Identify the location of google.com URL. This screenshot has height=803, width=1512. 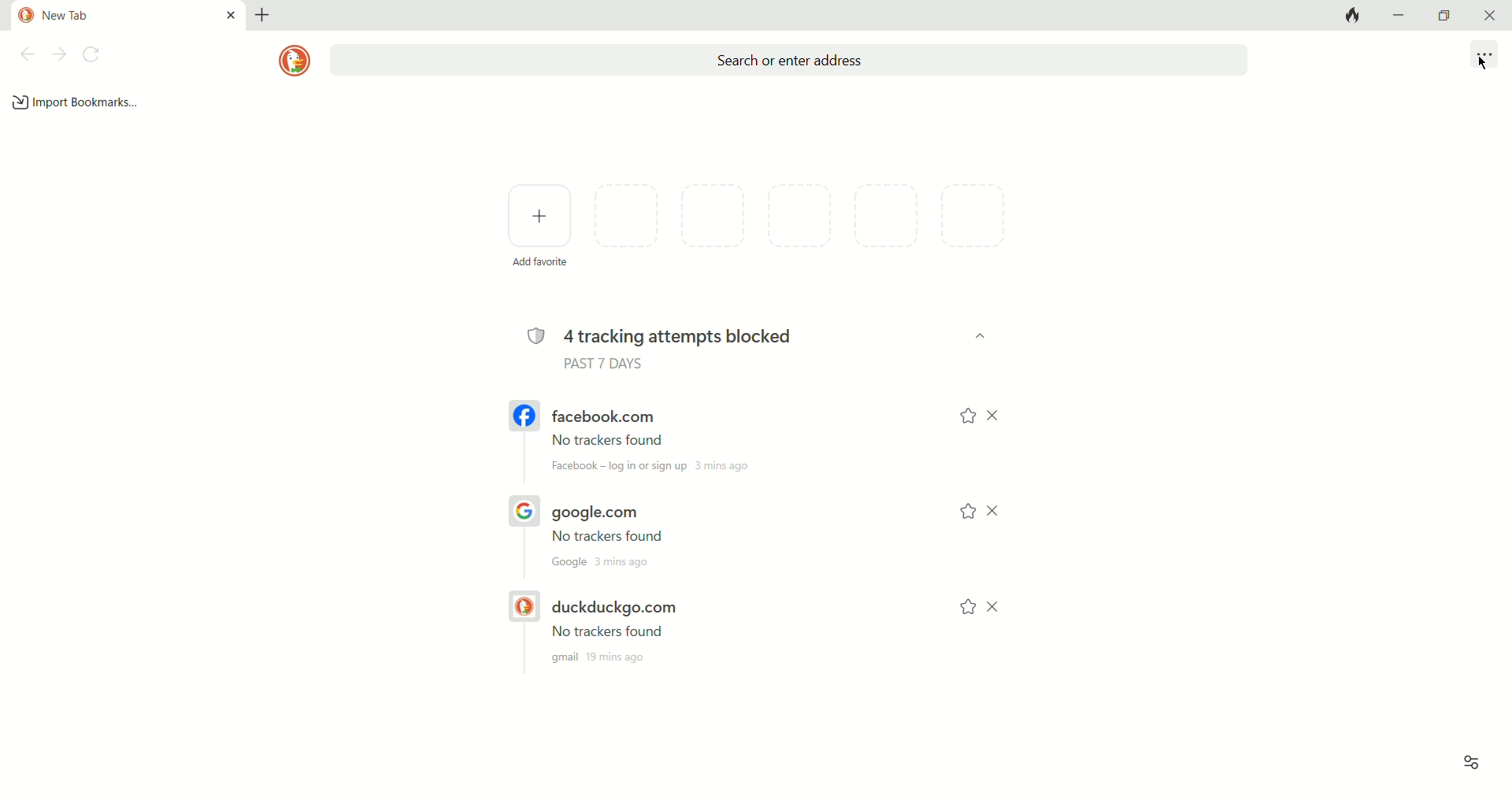
(603, 535).